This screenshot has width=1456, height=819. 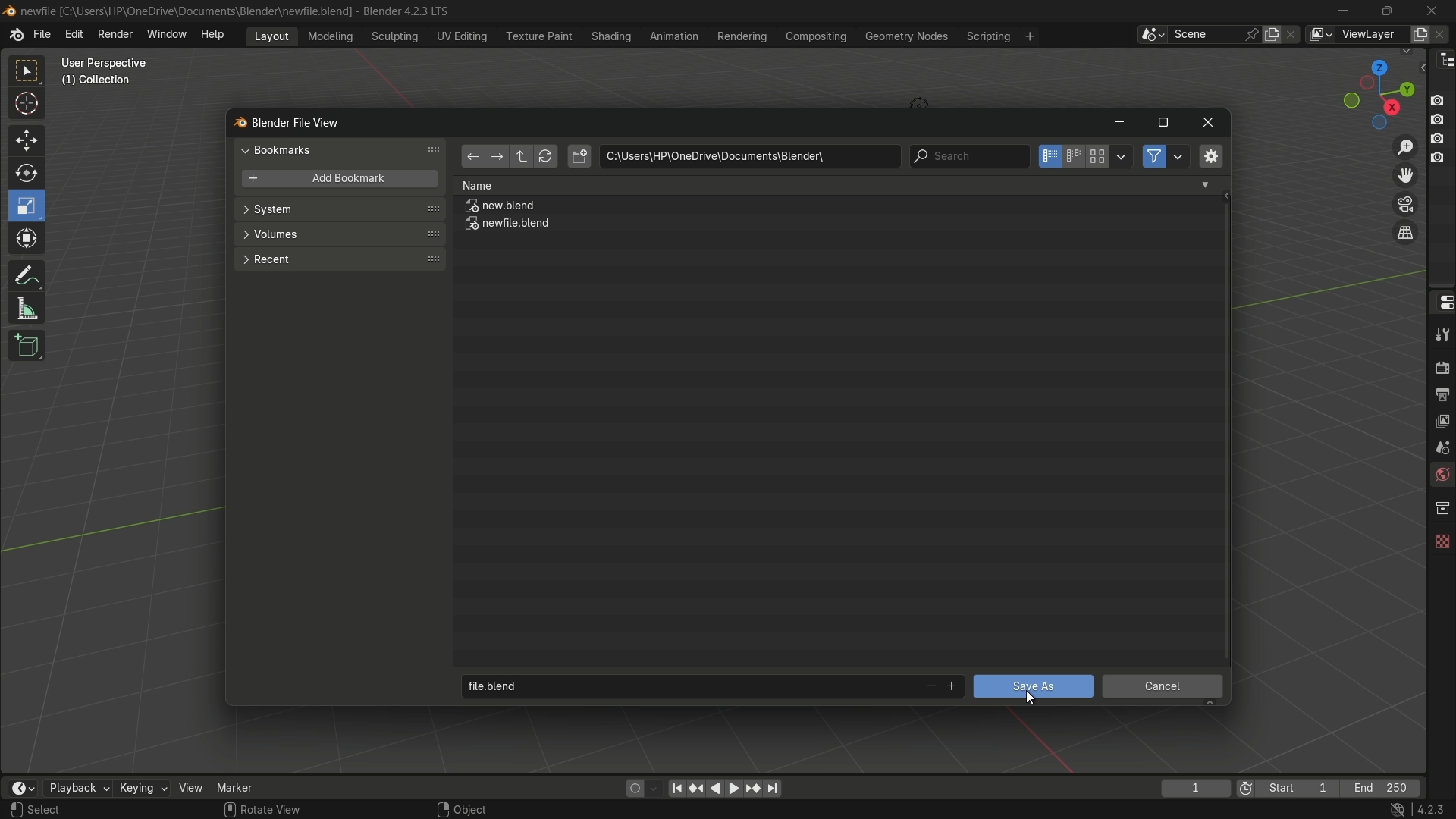 I want to click on collections, so click(x=1442, y=508).